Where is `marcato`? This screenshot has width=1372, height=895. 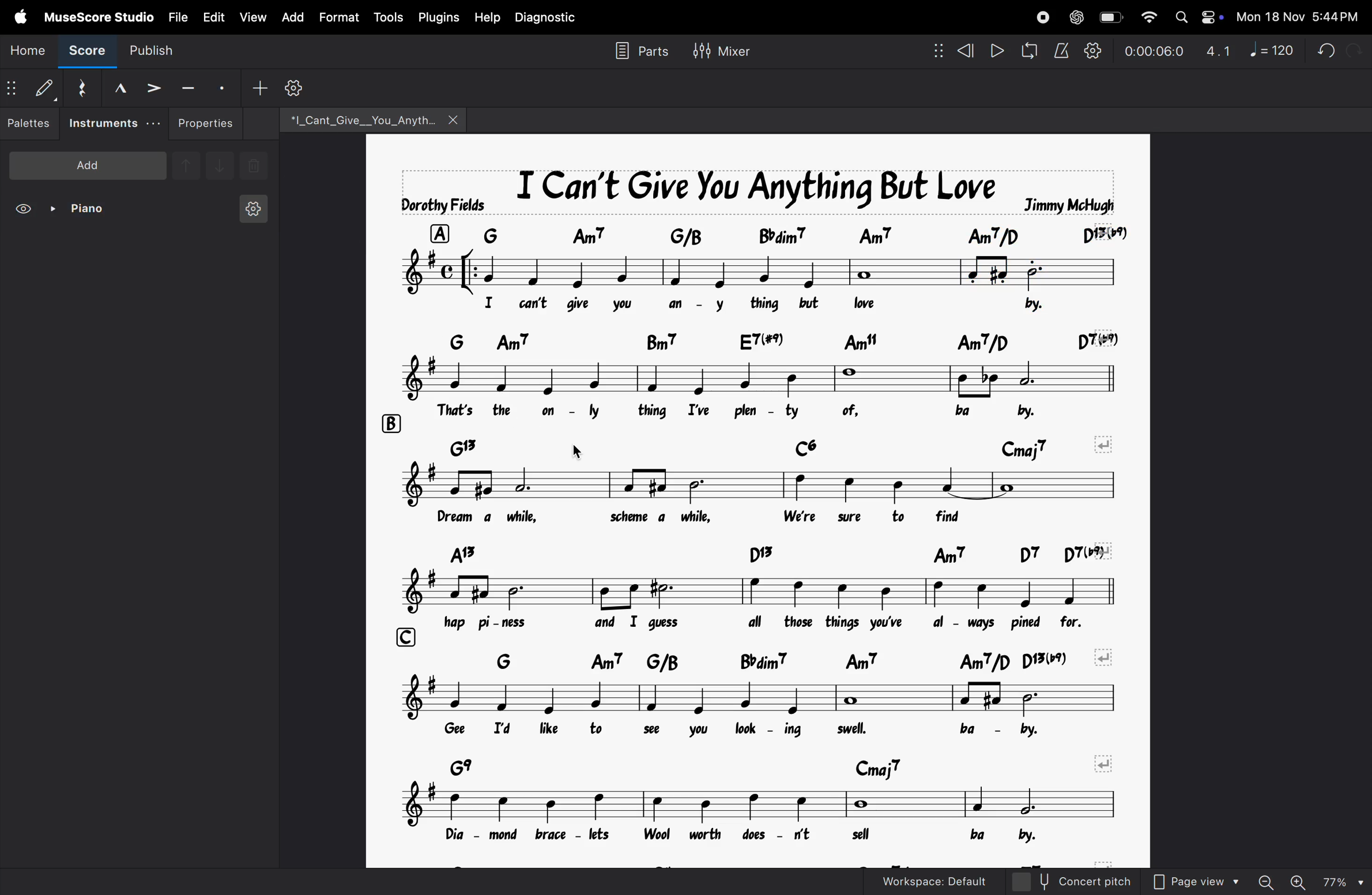
marcato is located at coordinates (123, 88).